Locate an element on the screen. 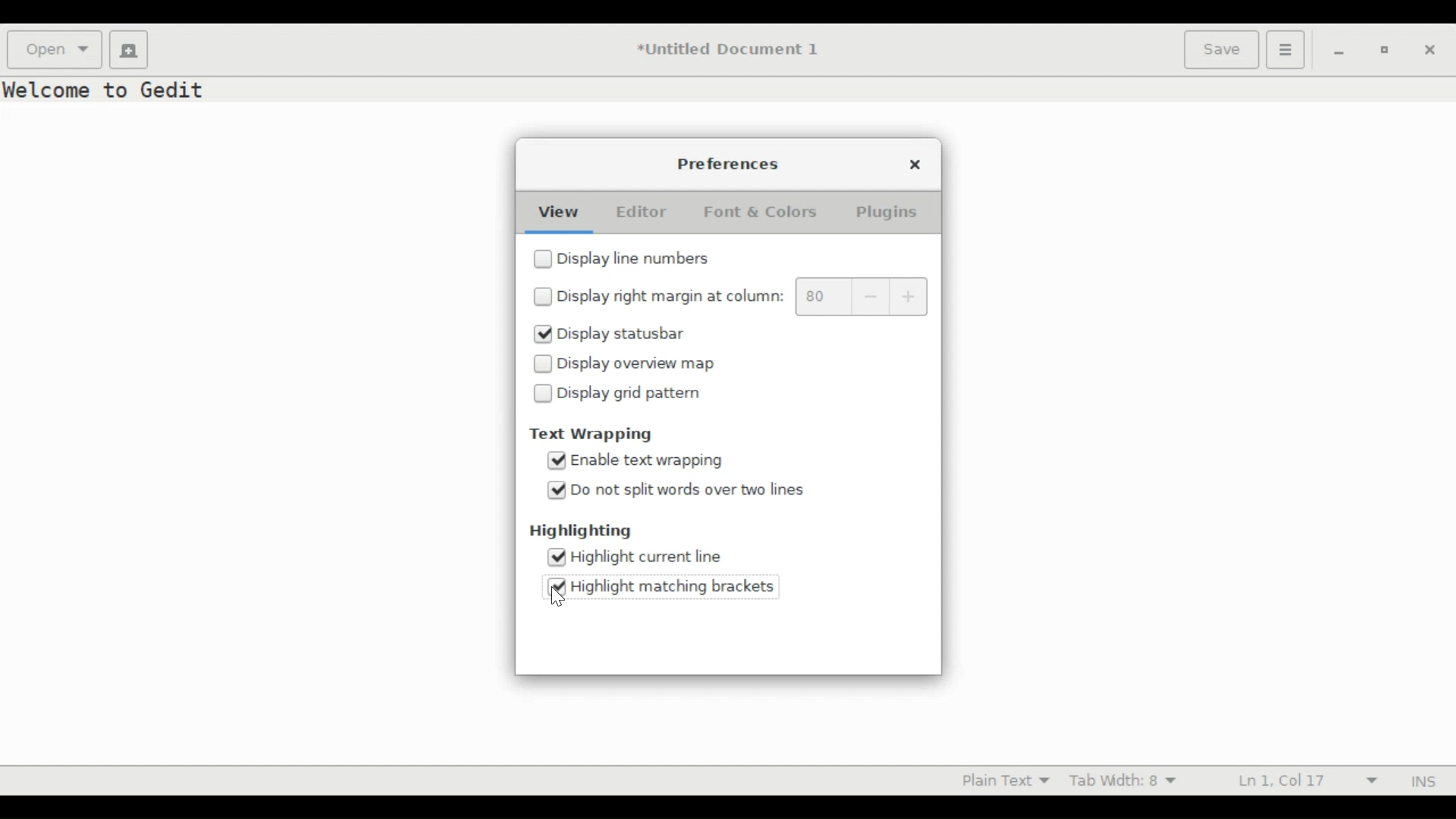 This screenshot has width=1456, height=819. Plugins is located at coordinates (891, 212).